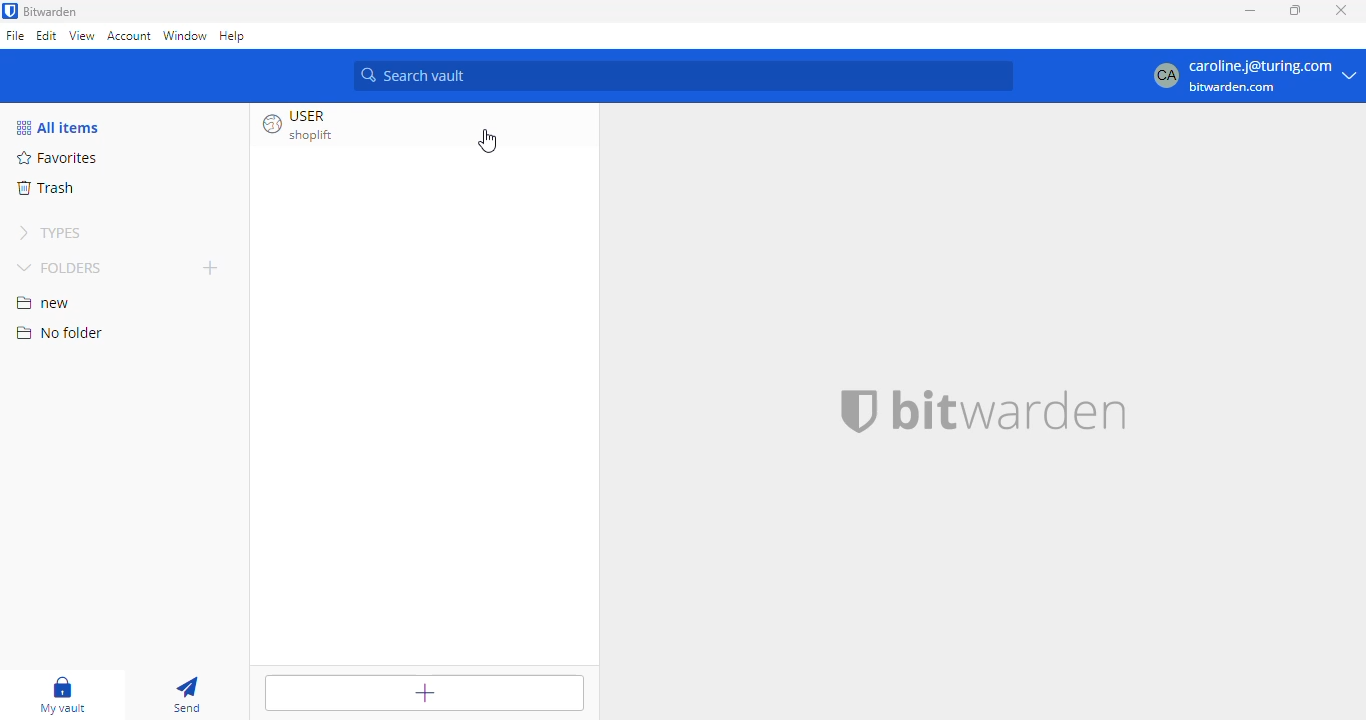  What do you see at coordinates (15, 35) in the screenshot?
I see `file` at bounding box center [15, 35].